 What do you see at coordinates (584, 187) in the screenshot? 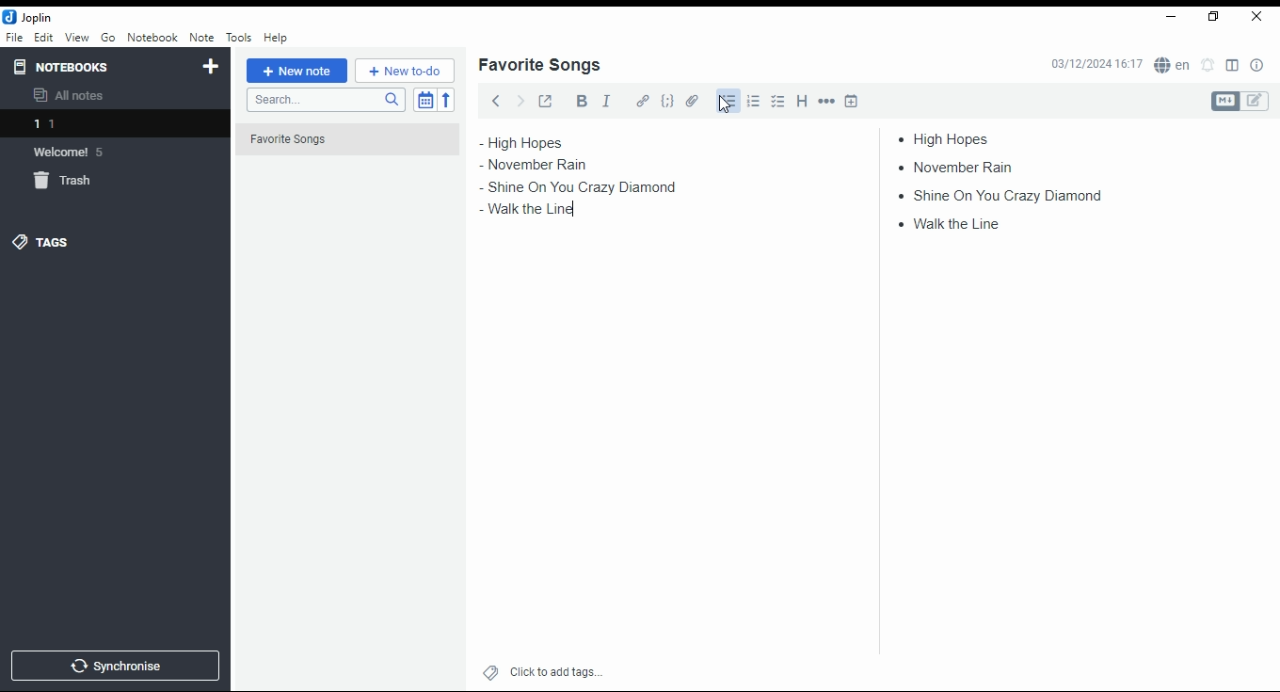
I see `shine on you crazy diamond` at bounding box center [584, 187].